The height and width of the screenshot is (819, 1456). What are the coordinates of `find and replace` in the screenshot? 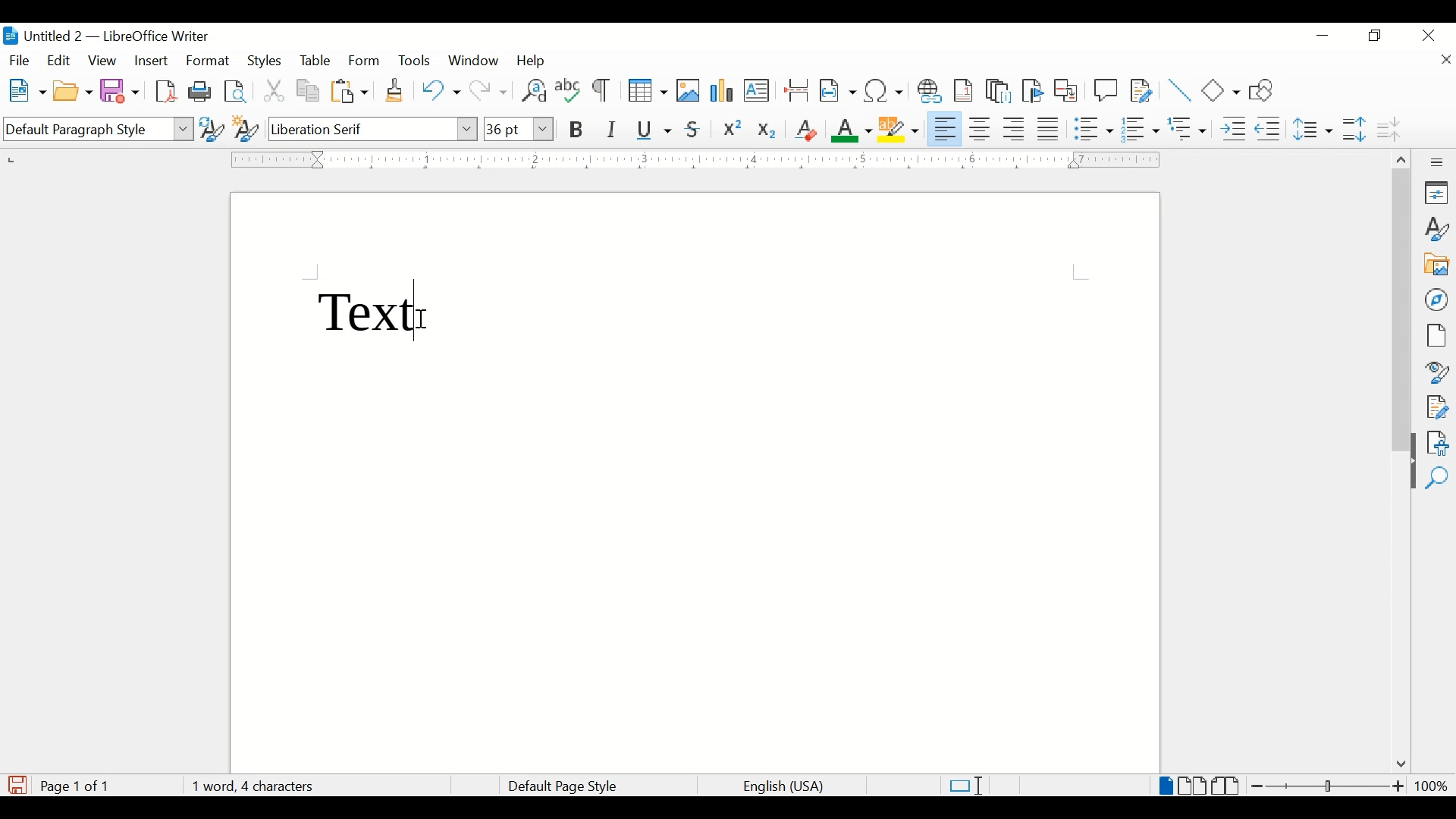 It's located at (532, 90).